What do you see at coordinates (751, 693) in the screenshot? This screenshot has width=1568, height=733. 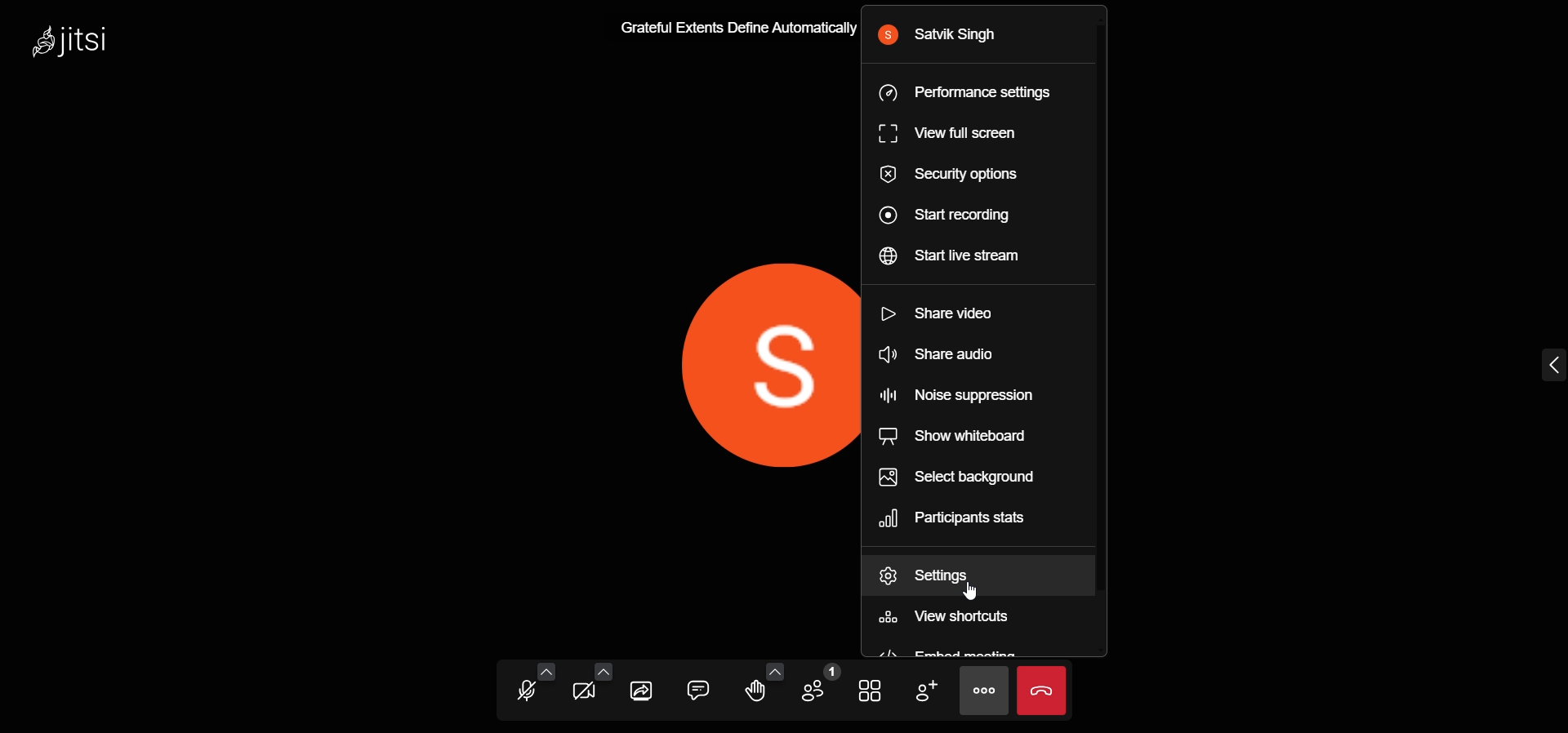 I see `raise hand` at bounding box center [751, 693].